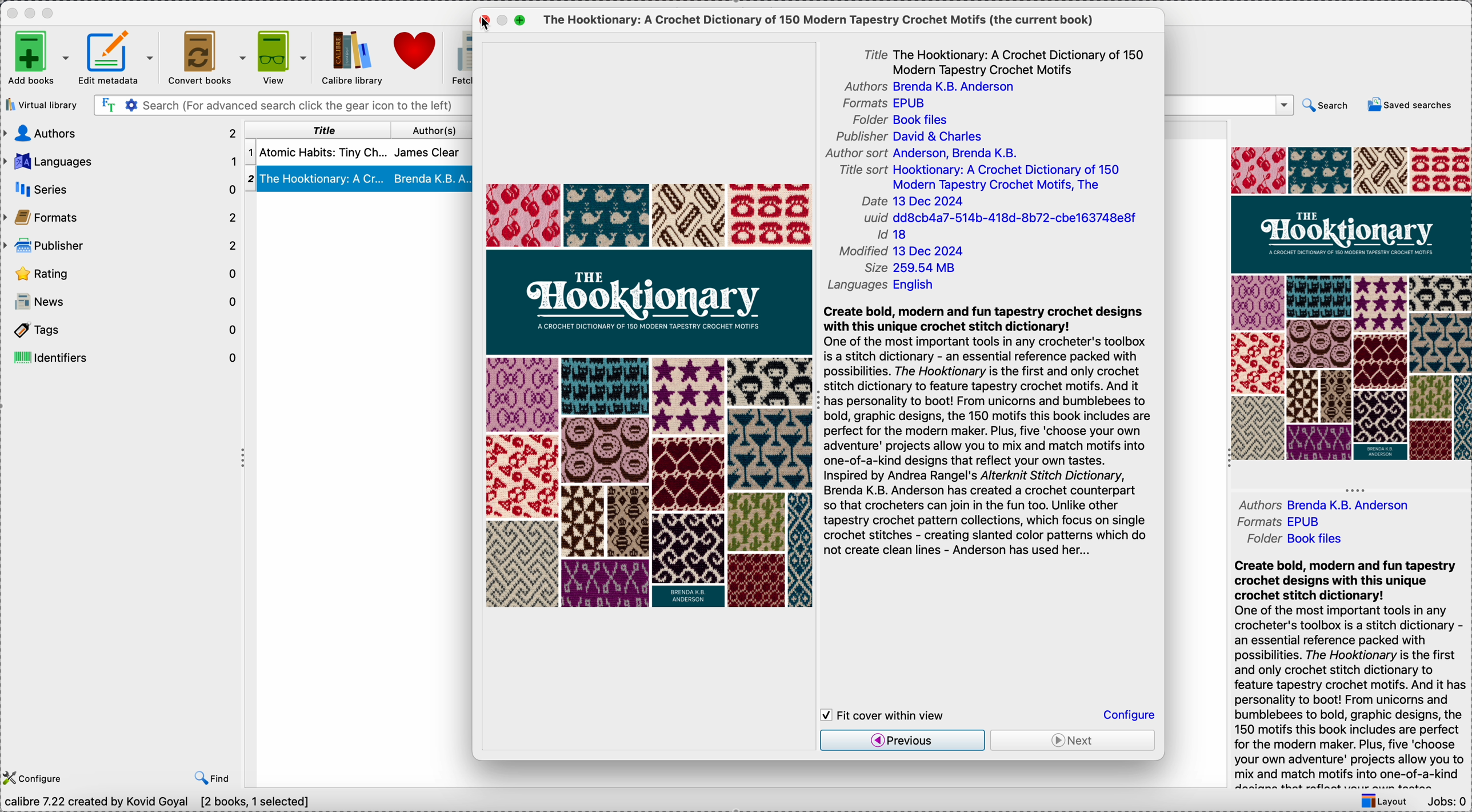 The width and height of the screenshot is (1472, 812). I want to click on disable minimize pop-up, so click(507, 21).